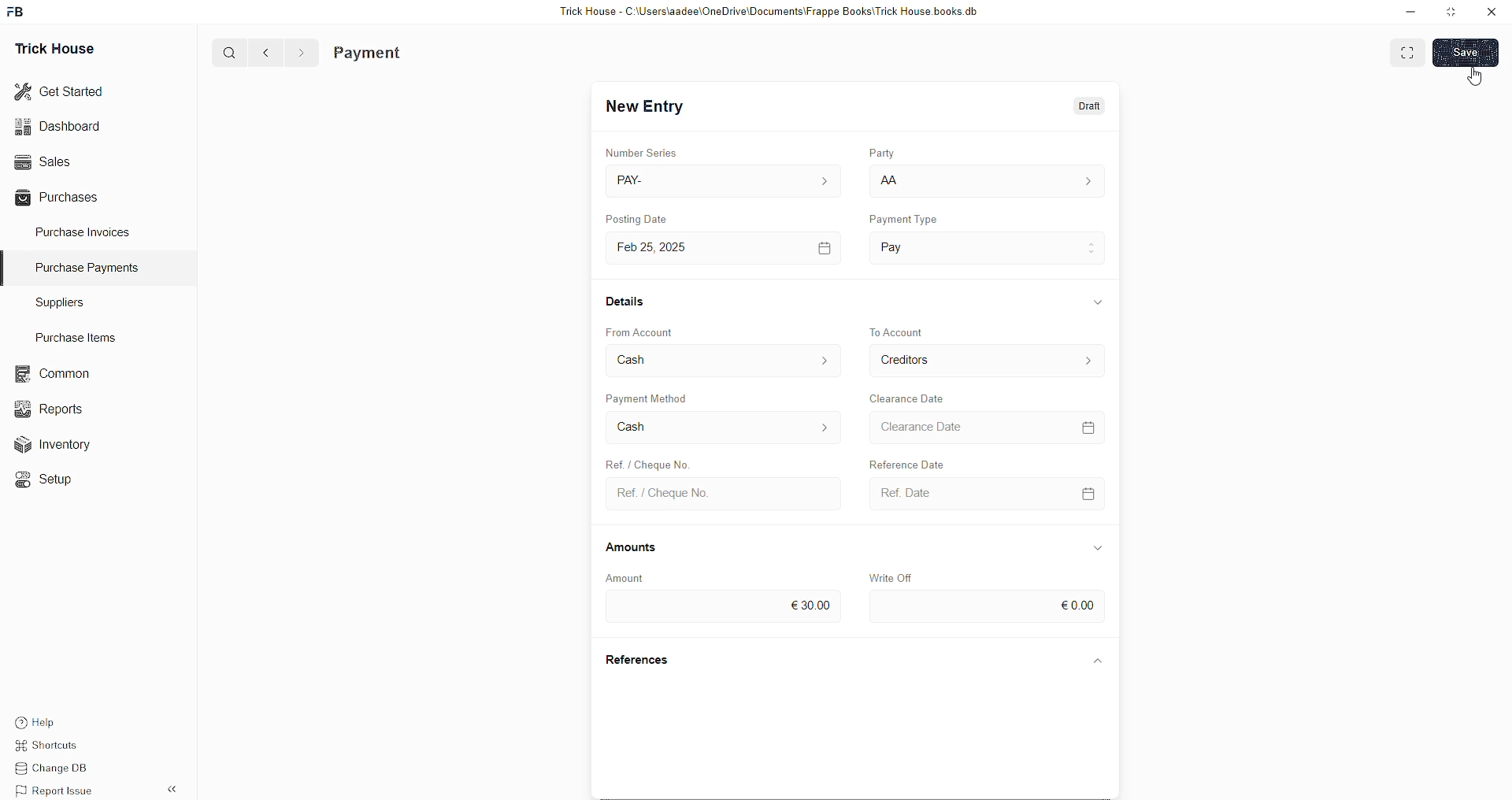 The height and width of the screenshot is (800, 1512). Describe the element at coordinates (83, 268) in the screenshot. I see `Purchase PaymenTS` at that location.